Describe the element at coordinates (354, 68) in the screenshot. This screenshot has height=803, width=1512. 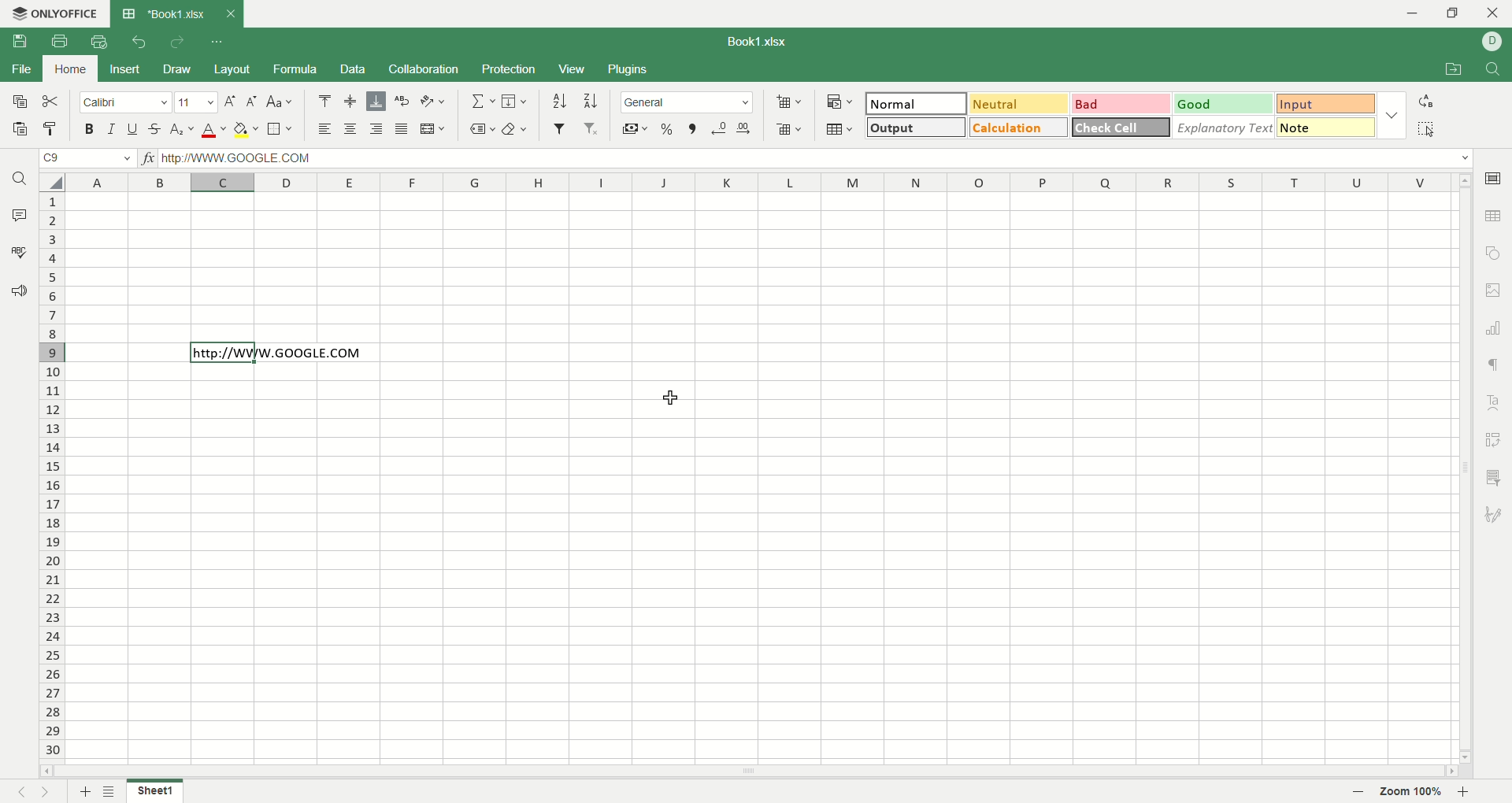
I see `data` at that location.